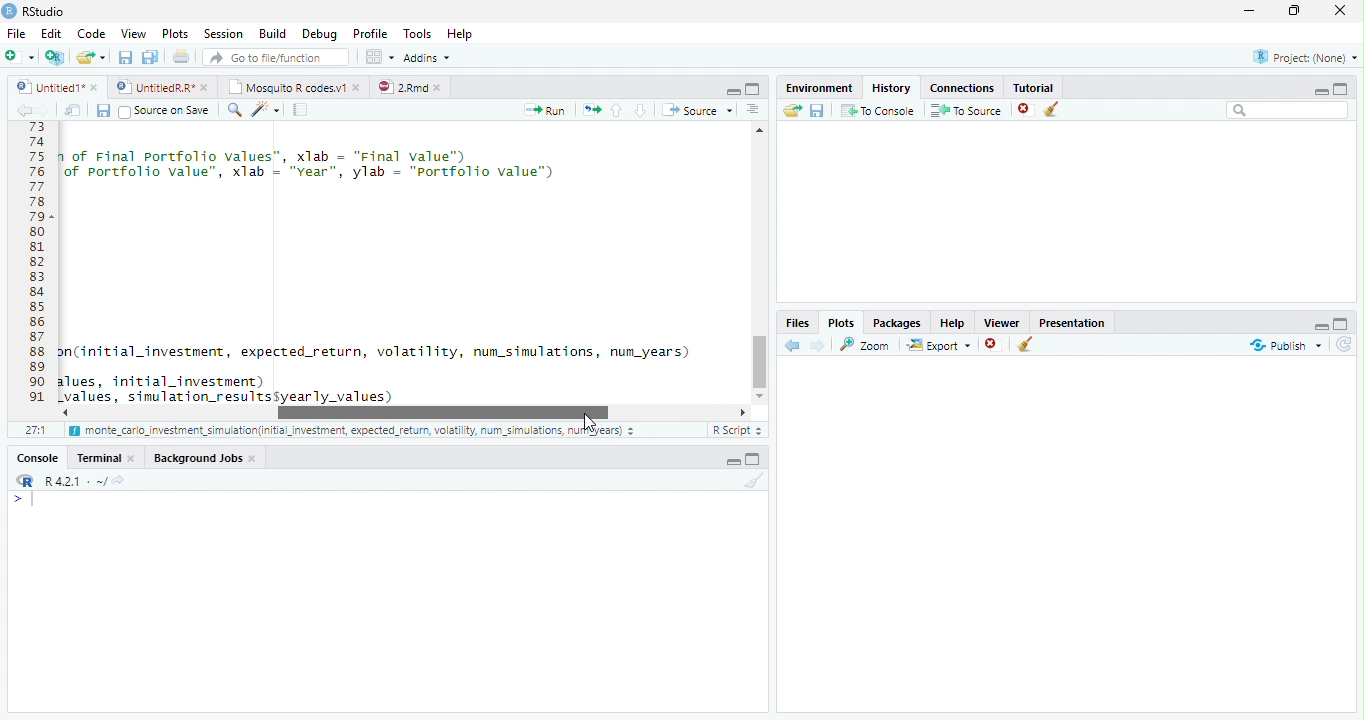 The width and height of the screenshot is (1364, 720). Describe the element at coordinates (222, 33) in the screenshot. I see `Session` at that location.